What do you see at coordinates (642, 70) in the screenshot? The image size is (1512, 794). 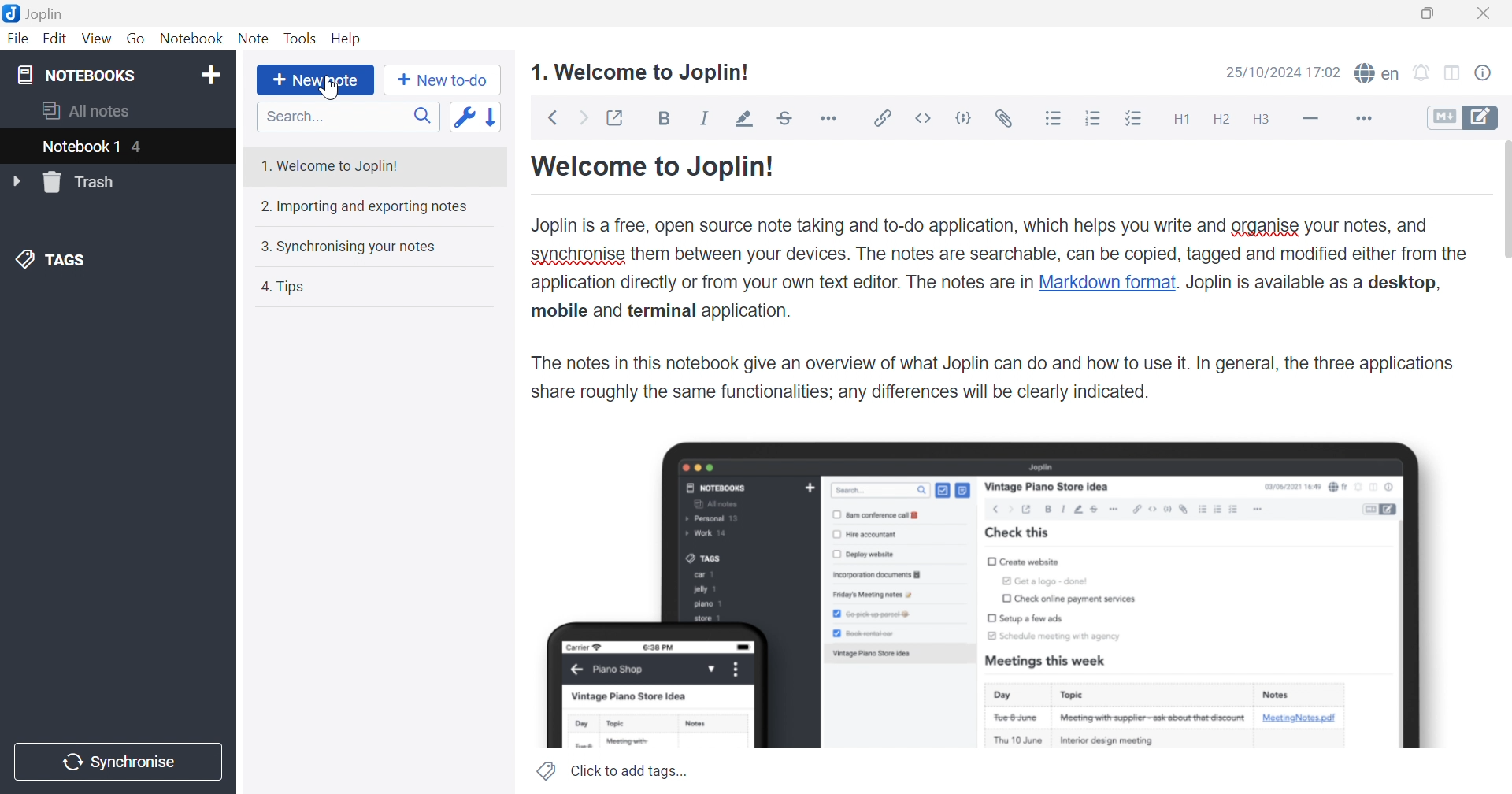 I see `1. Welcome to Joplin!` at bounding box center [642, 70].